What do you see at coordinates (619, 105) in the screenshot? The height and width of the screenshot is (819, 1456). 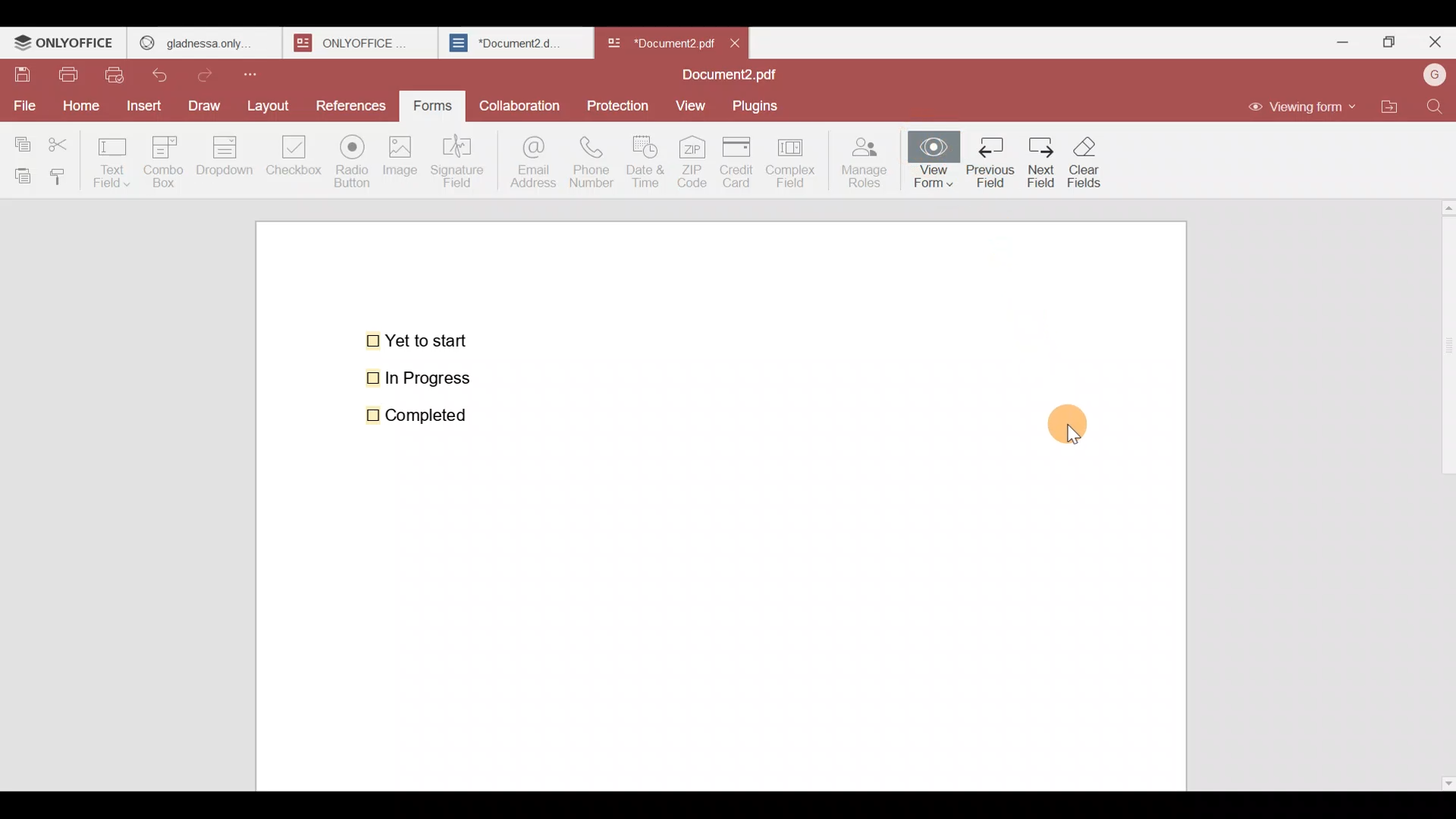 I see `Protection` at bounding box center [619, 105].